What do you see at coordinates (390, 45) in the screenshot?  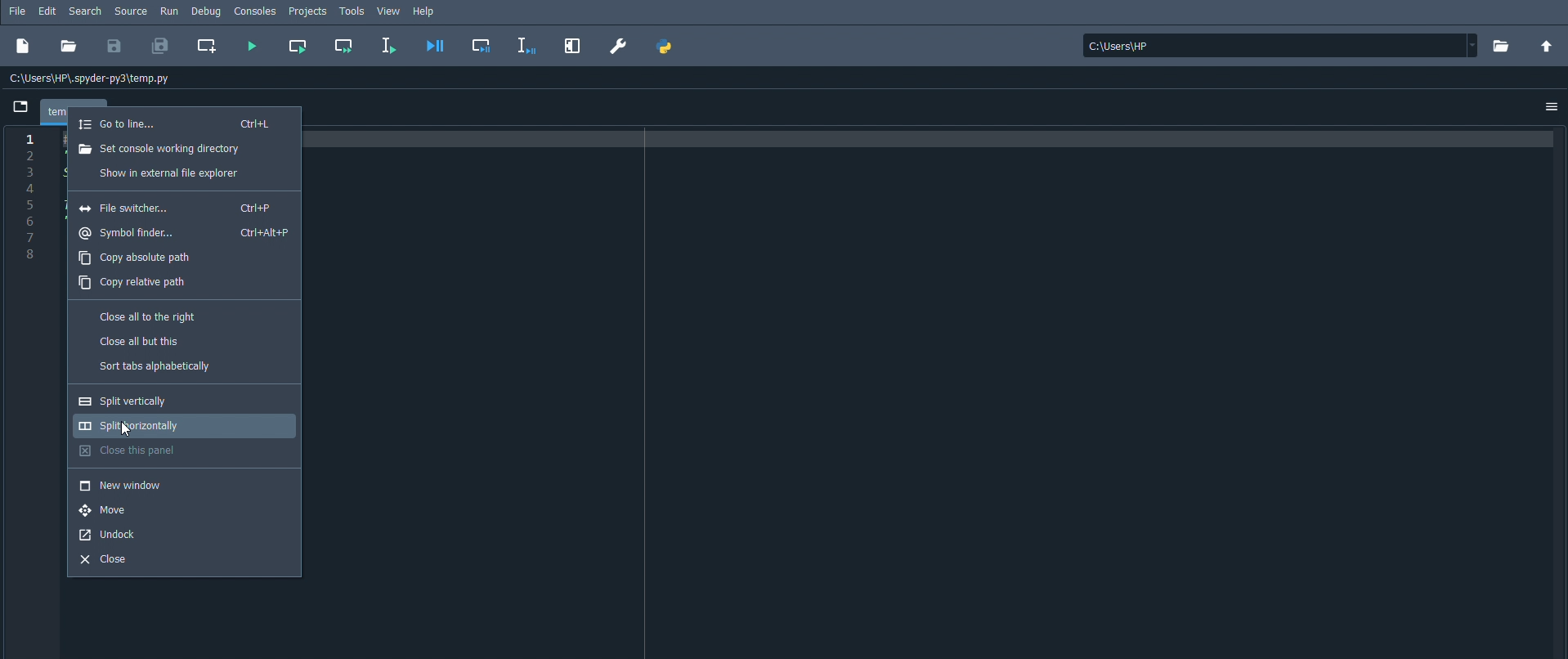 I see `Run selection or current line` at bounding box center [390, 45].